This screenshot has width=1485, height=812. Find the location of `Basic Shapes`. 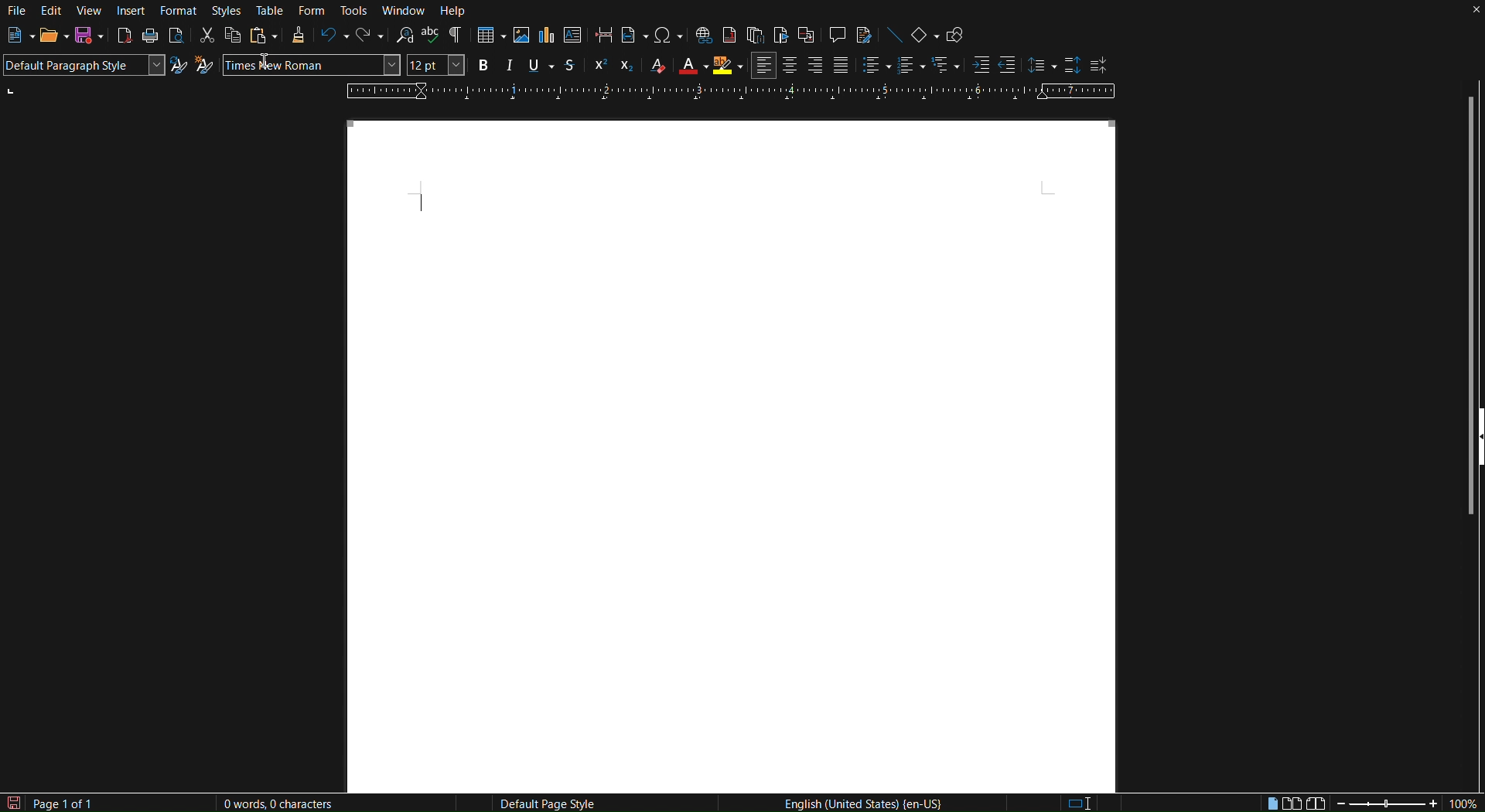

Basic Shapes is located at coordinates (926, 38).